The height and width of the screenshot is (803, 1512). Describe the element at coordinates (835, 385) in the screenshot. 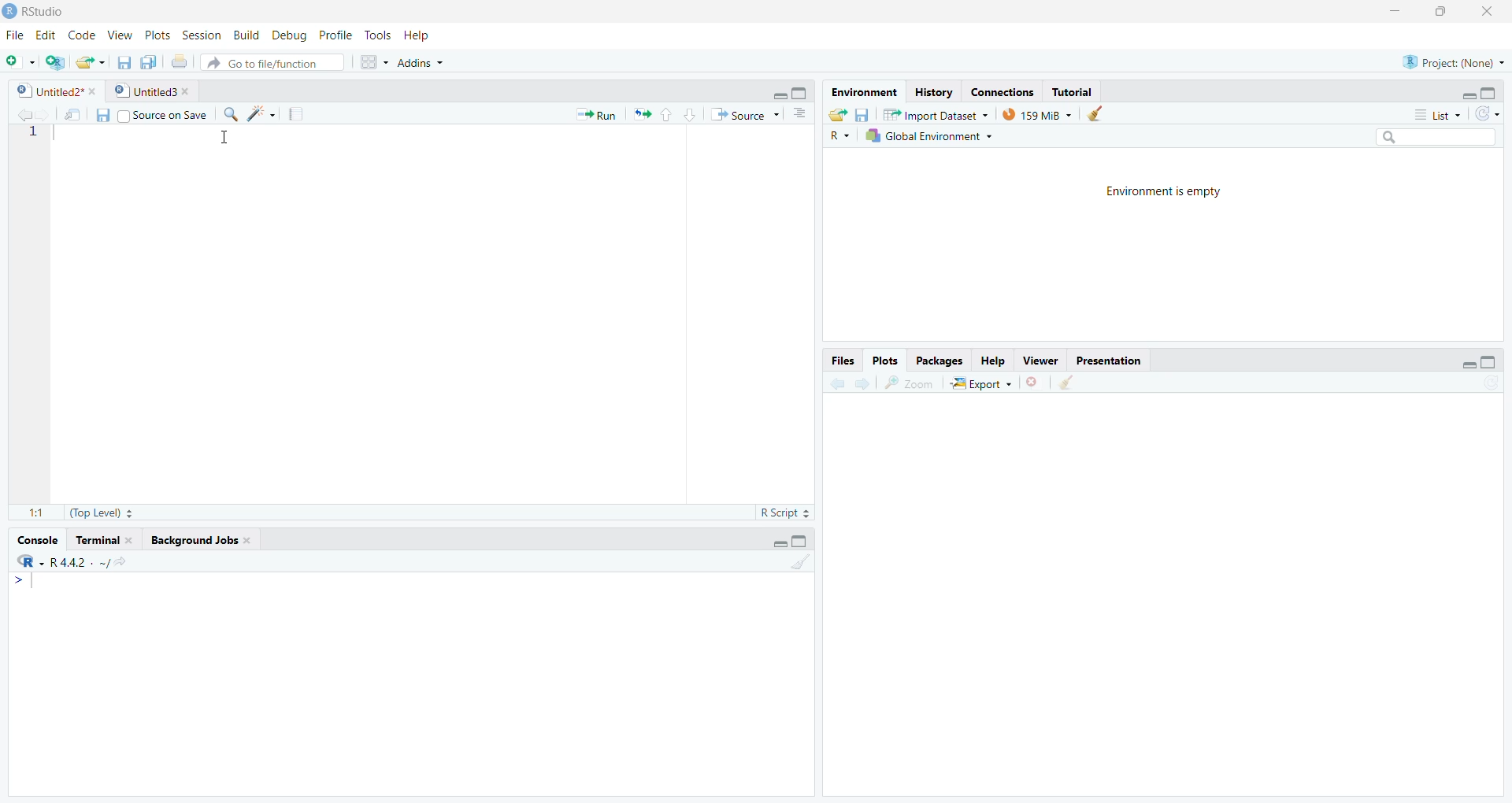

I see `Previous` at that location.